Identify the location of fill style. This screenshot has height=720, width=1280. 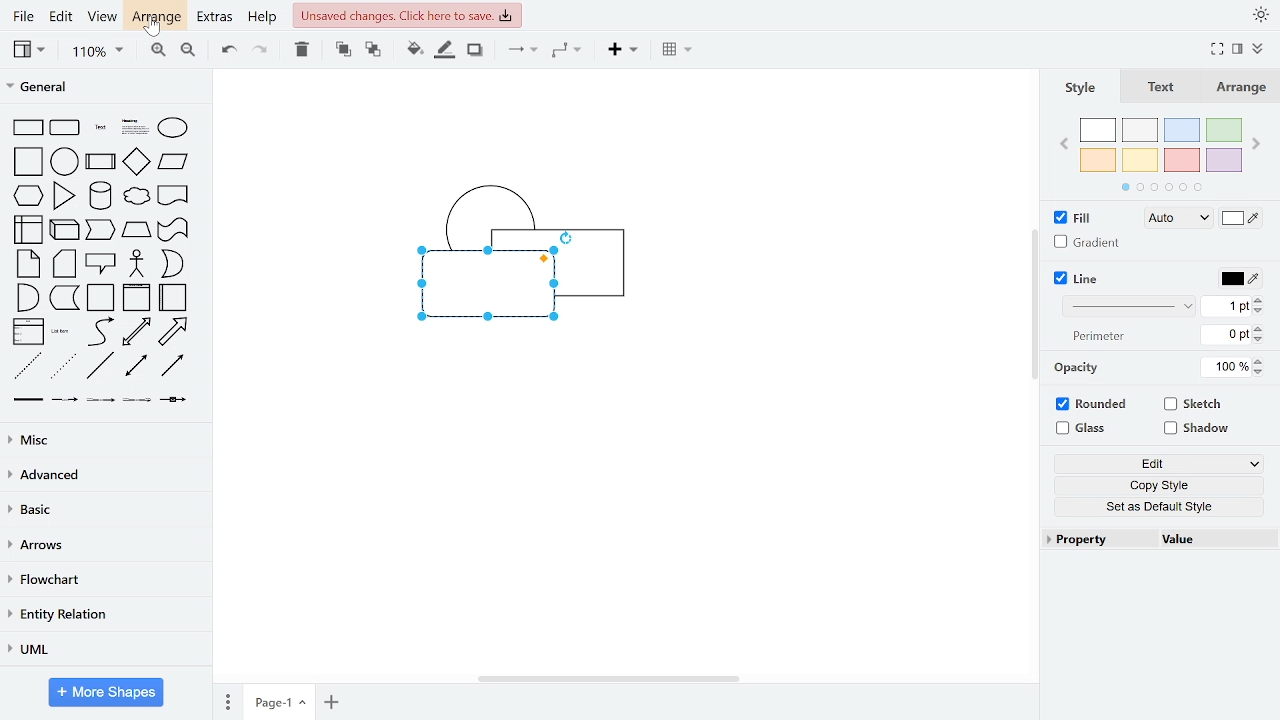
(1178, 219).